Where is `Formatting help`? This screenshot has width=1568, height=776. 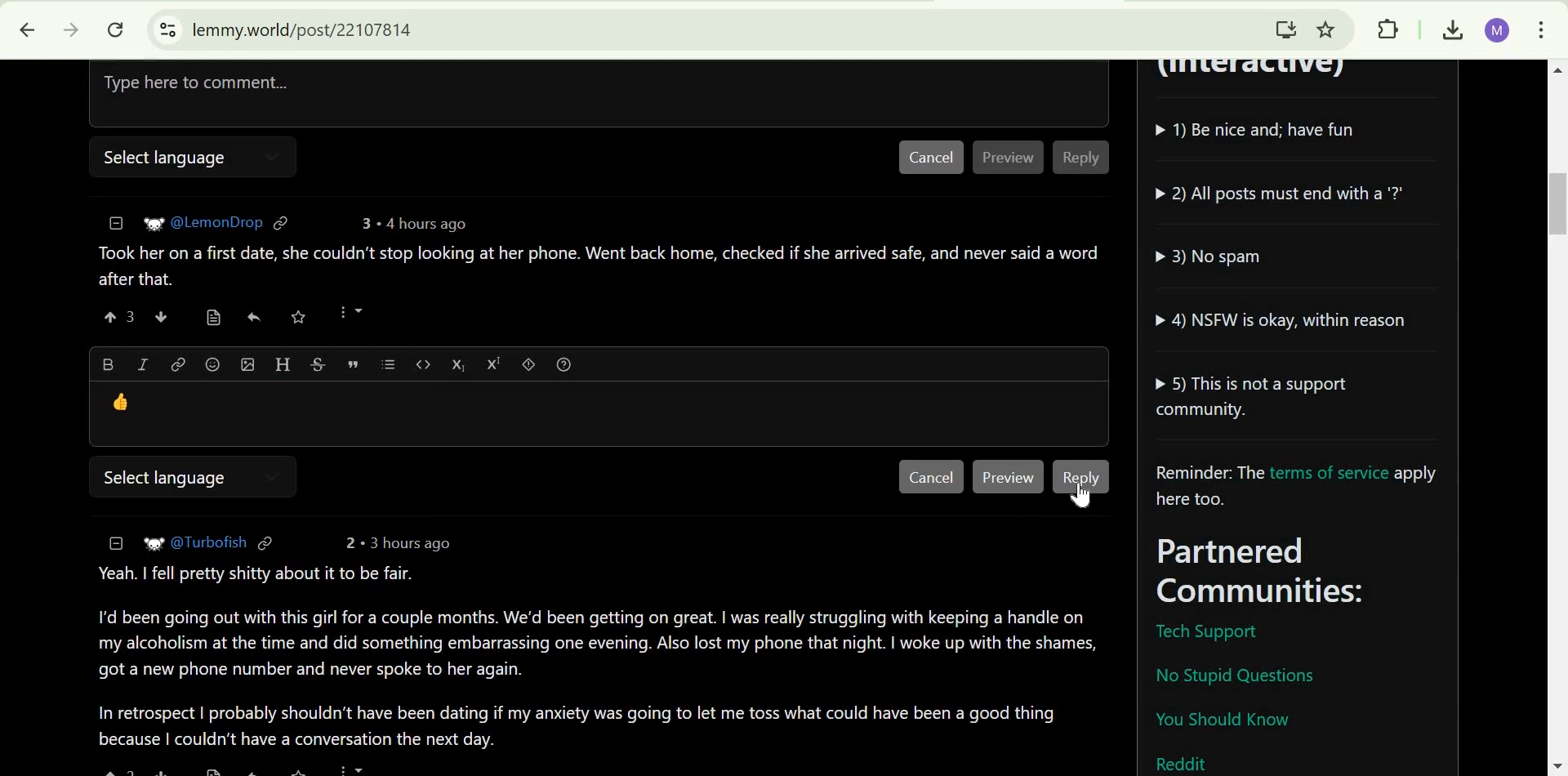
Formatting help is located at coordinates (563, 364).